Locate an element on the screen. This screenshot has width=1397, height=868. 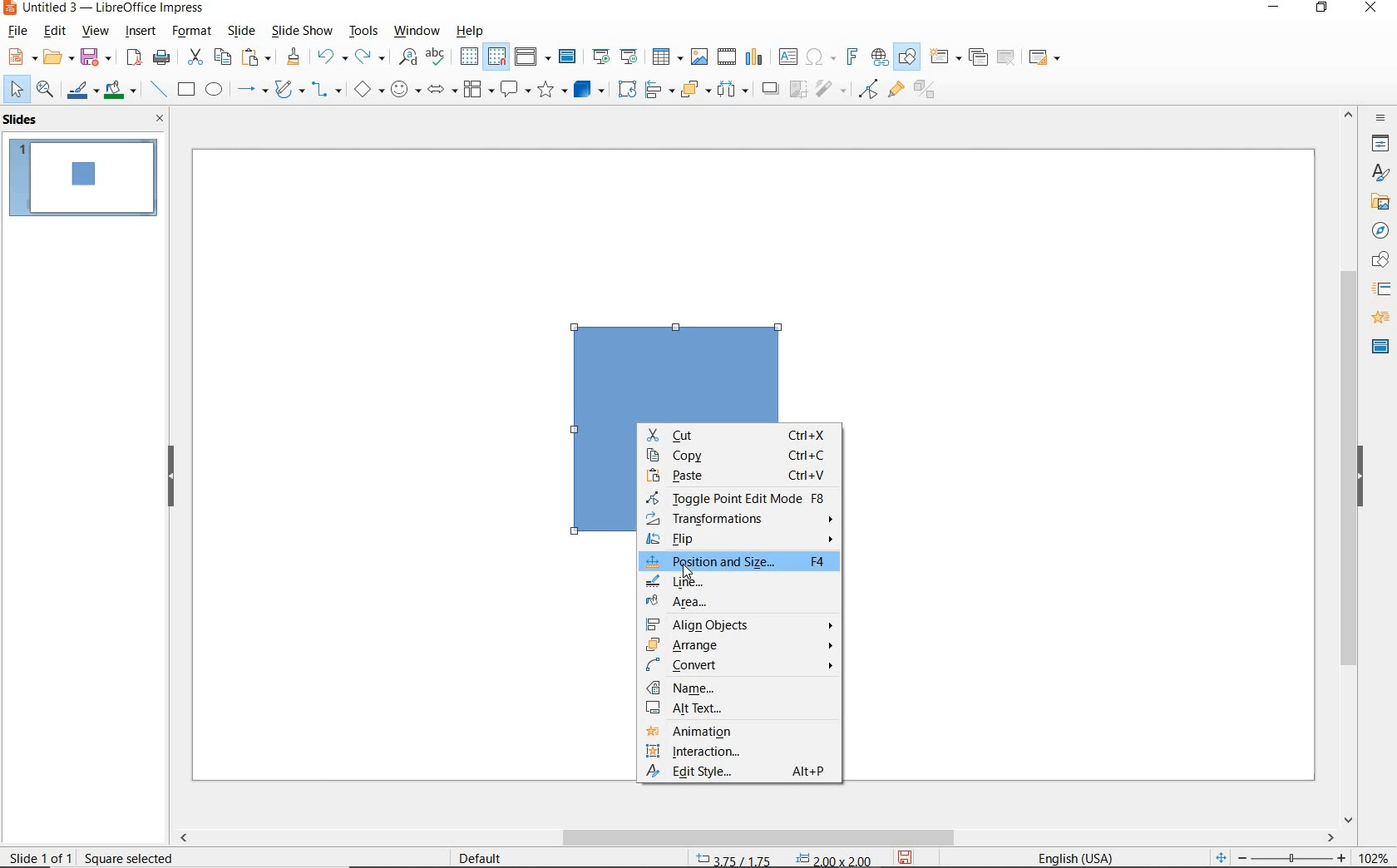
slide transition is located at coordinates (1380, 289).